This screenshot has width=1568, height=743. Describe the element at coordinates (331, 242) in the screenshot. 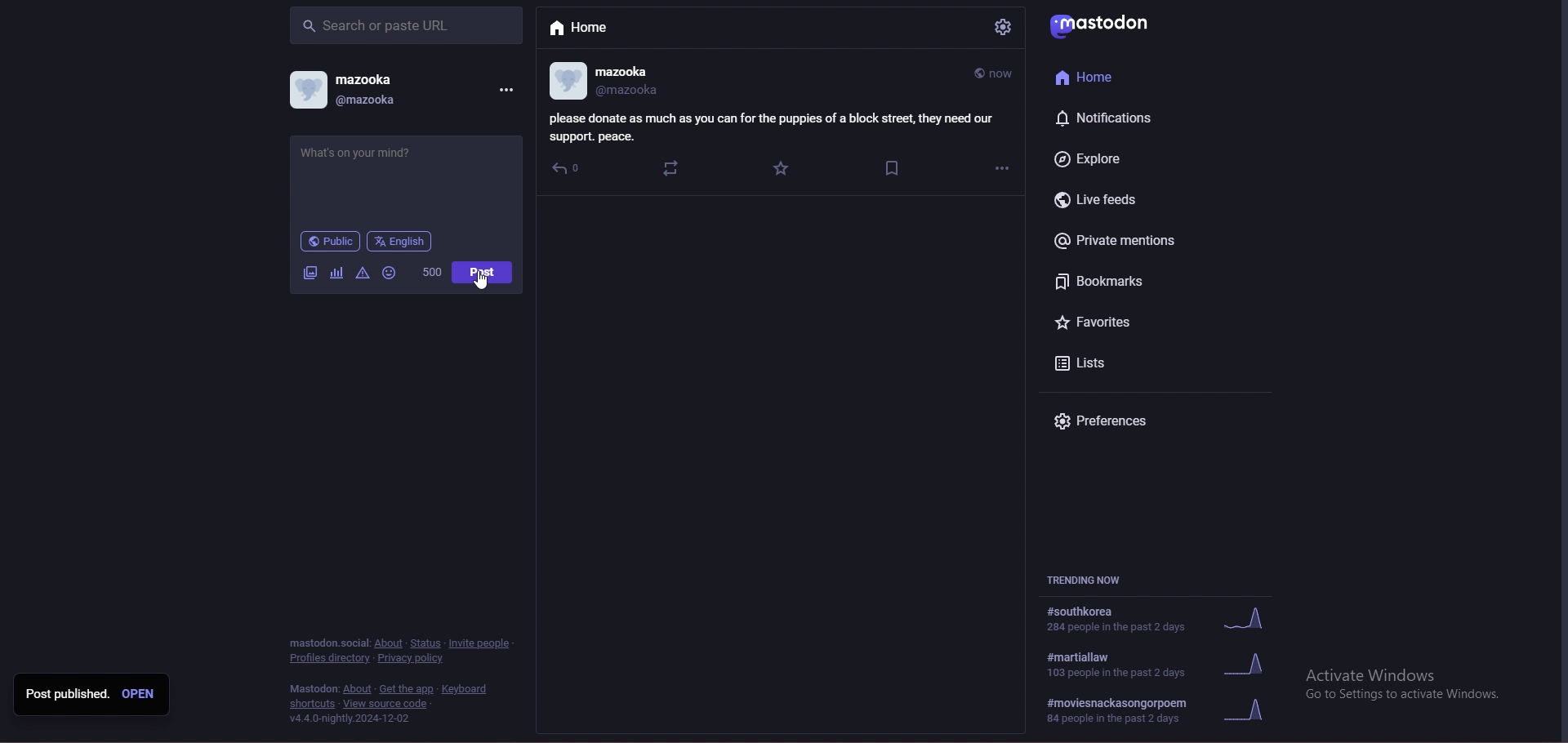

I see `public` at that location.